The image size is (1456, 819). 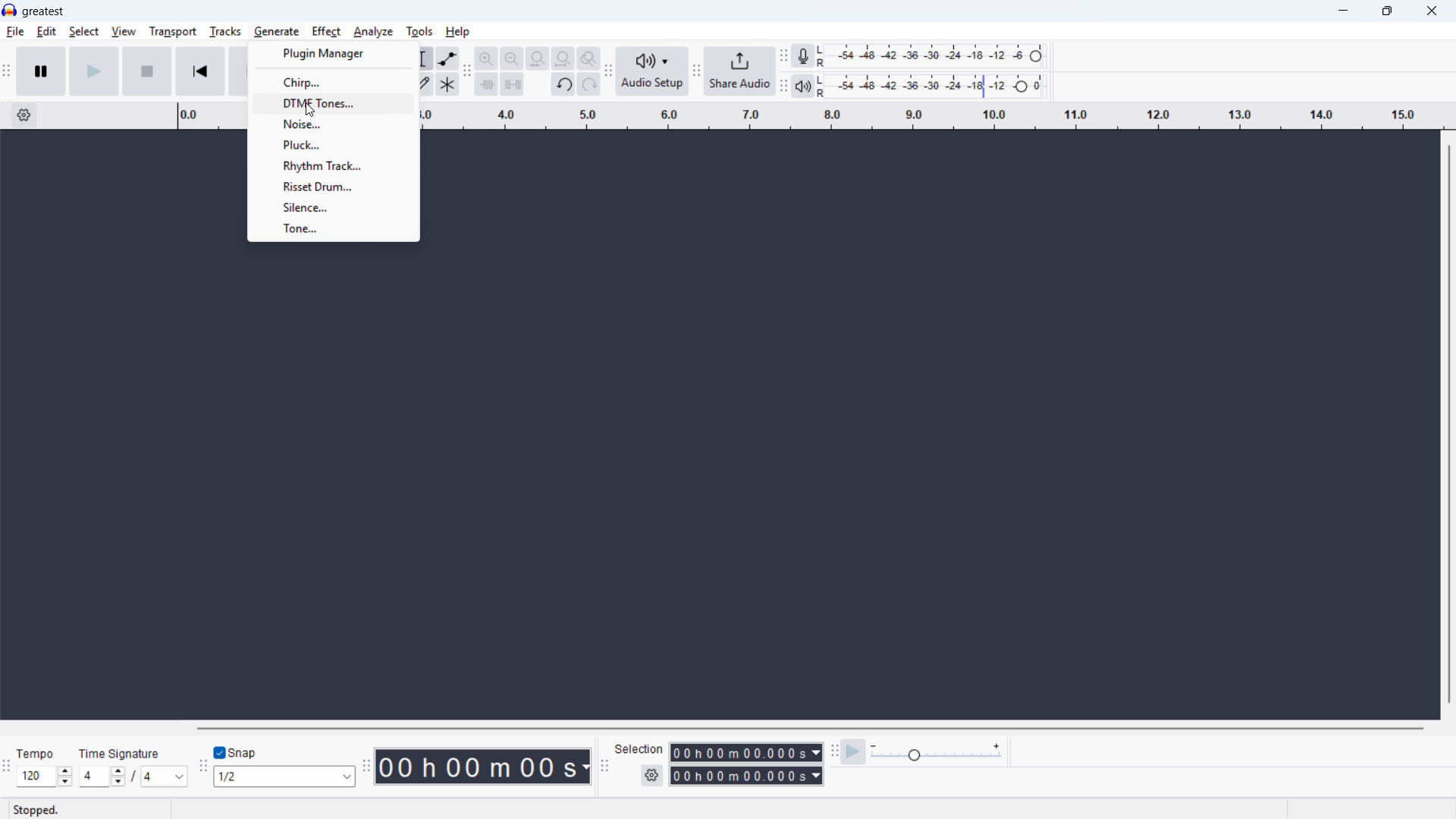 I want to click on file, so click(x=15, y=33).